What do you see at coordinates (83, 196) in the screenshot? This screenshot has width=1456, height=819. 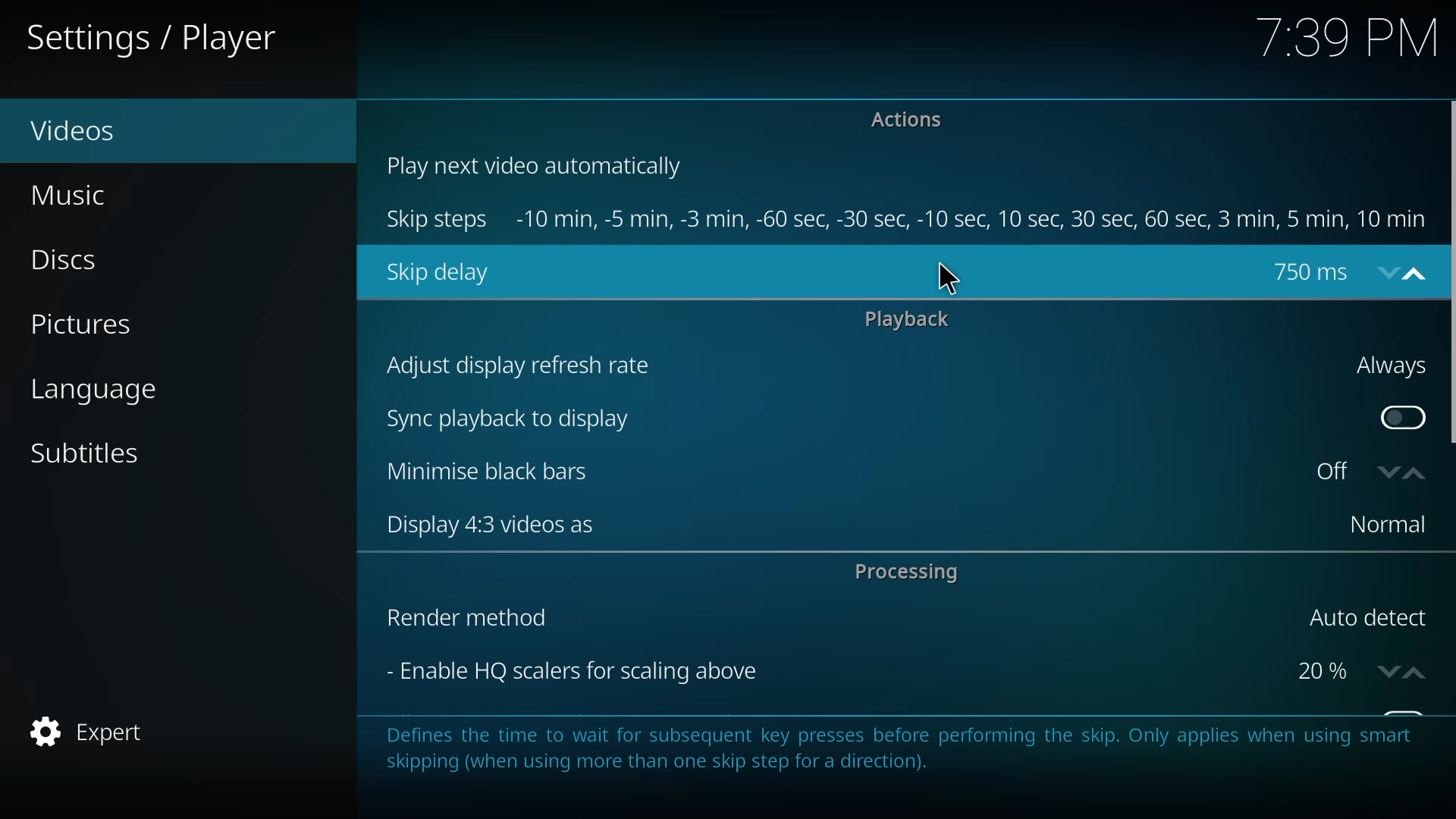 I see `music` at bounding box center [83, 196].